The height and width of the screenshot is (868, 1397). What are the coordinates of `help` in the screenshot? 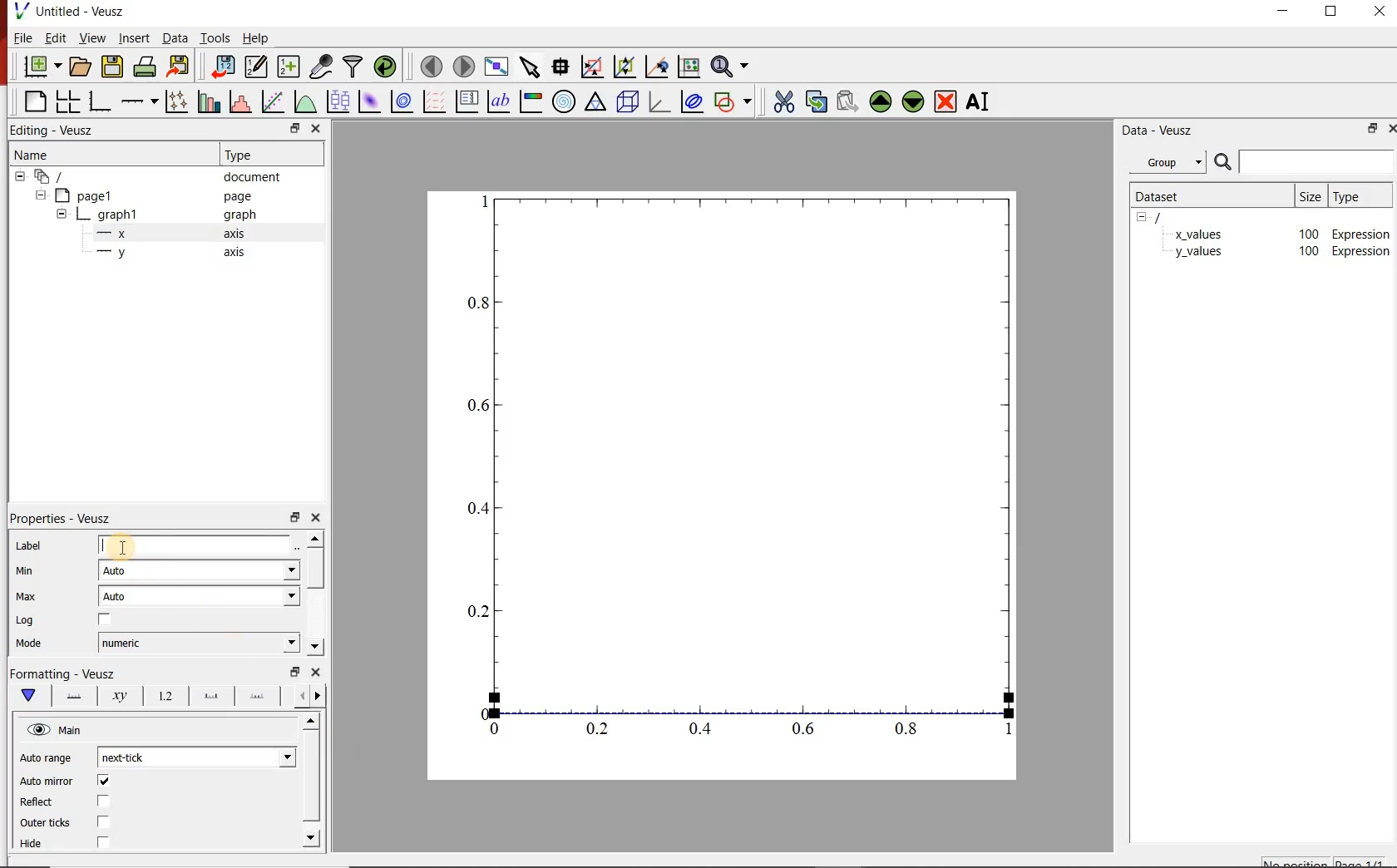 It's located at (260, 37).